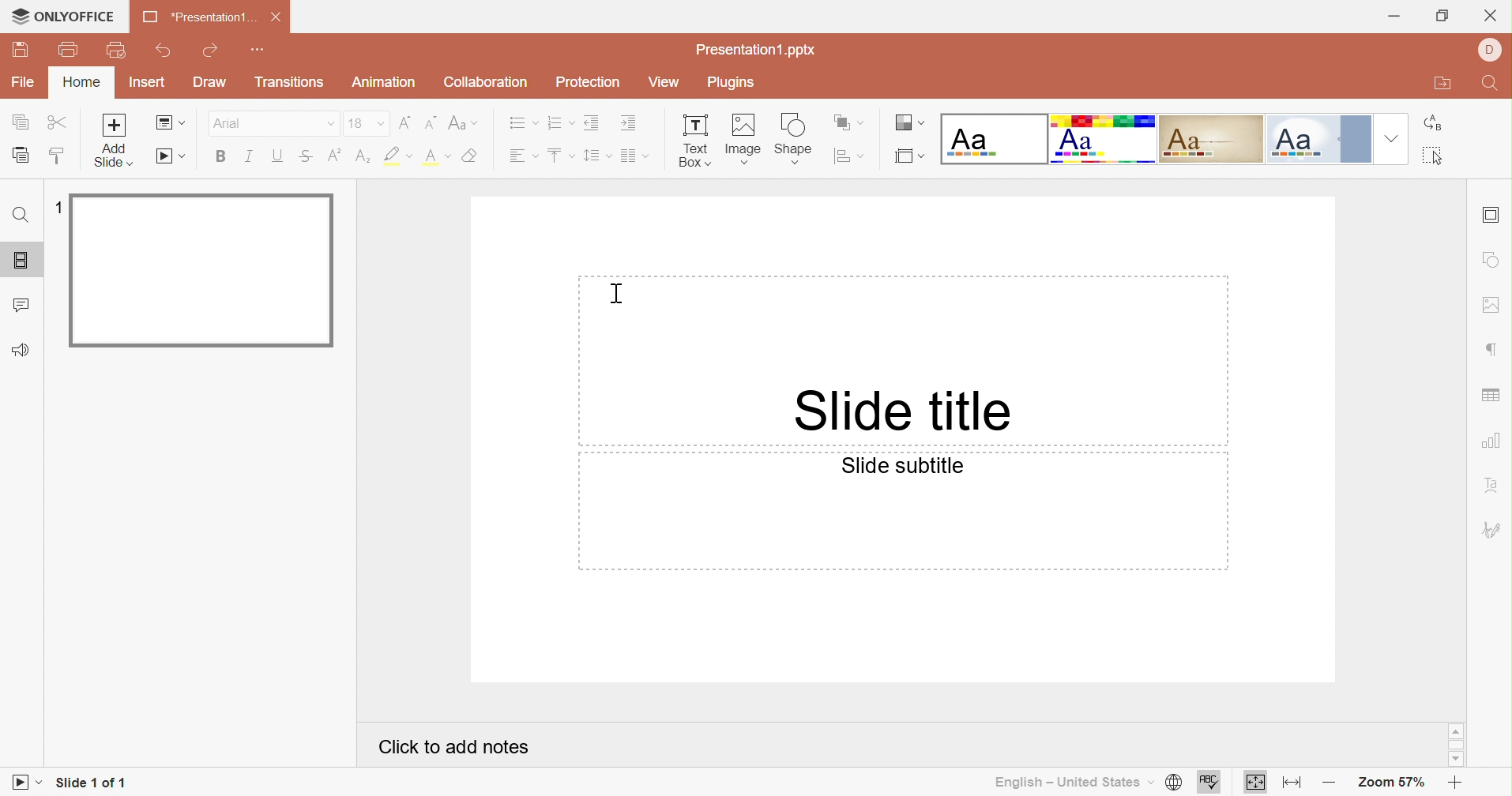 The width and height of the screenshot is (1512, 796). Describe the element at coordinates (59, 123) in the screenshot. I see `Cut` at that location.